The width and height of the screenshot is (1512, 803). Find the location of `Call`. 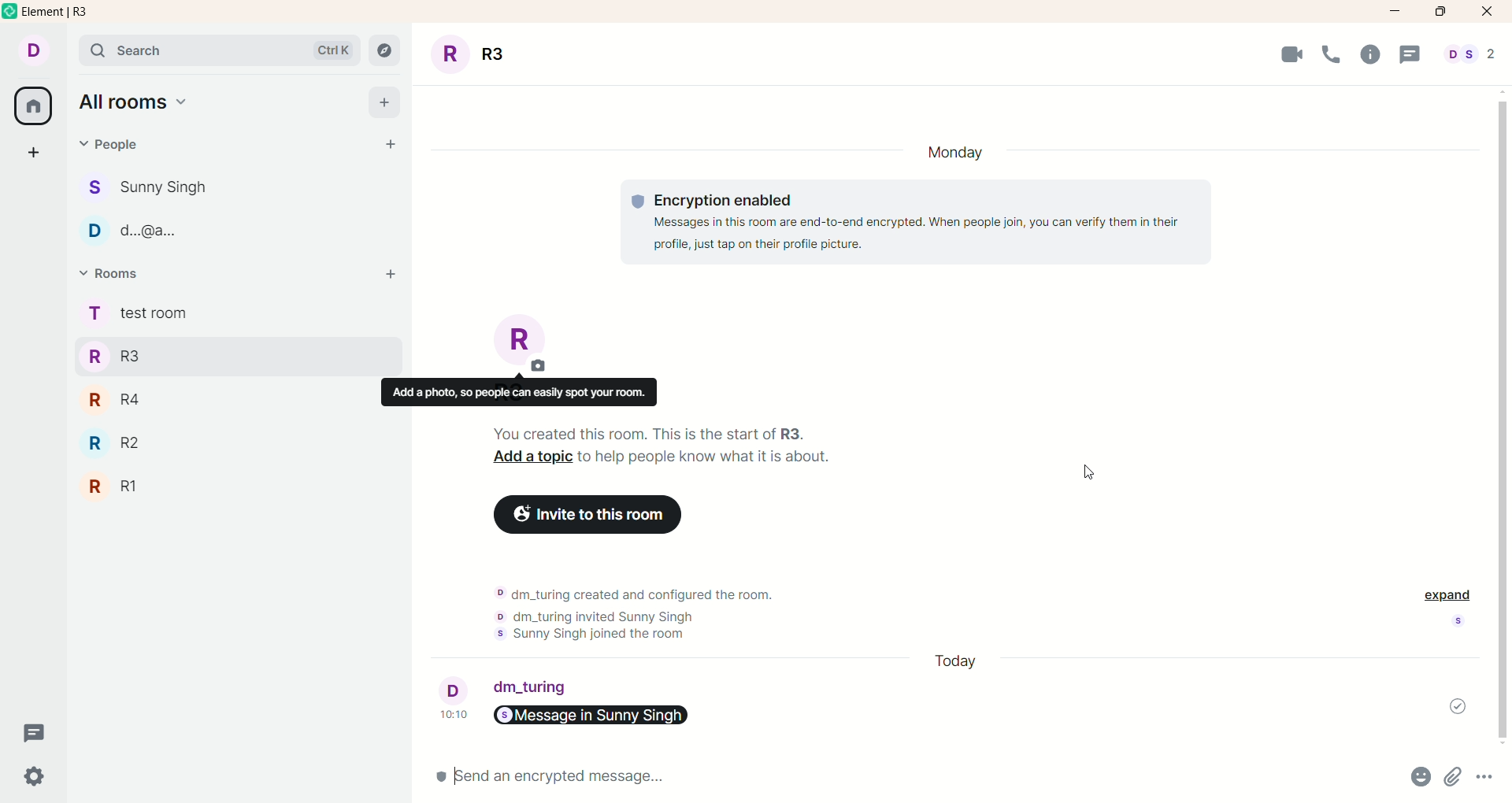

Call is located at coordinates (1333, 52).